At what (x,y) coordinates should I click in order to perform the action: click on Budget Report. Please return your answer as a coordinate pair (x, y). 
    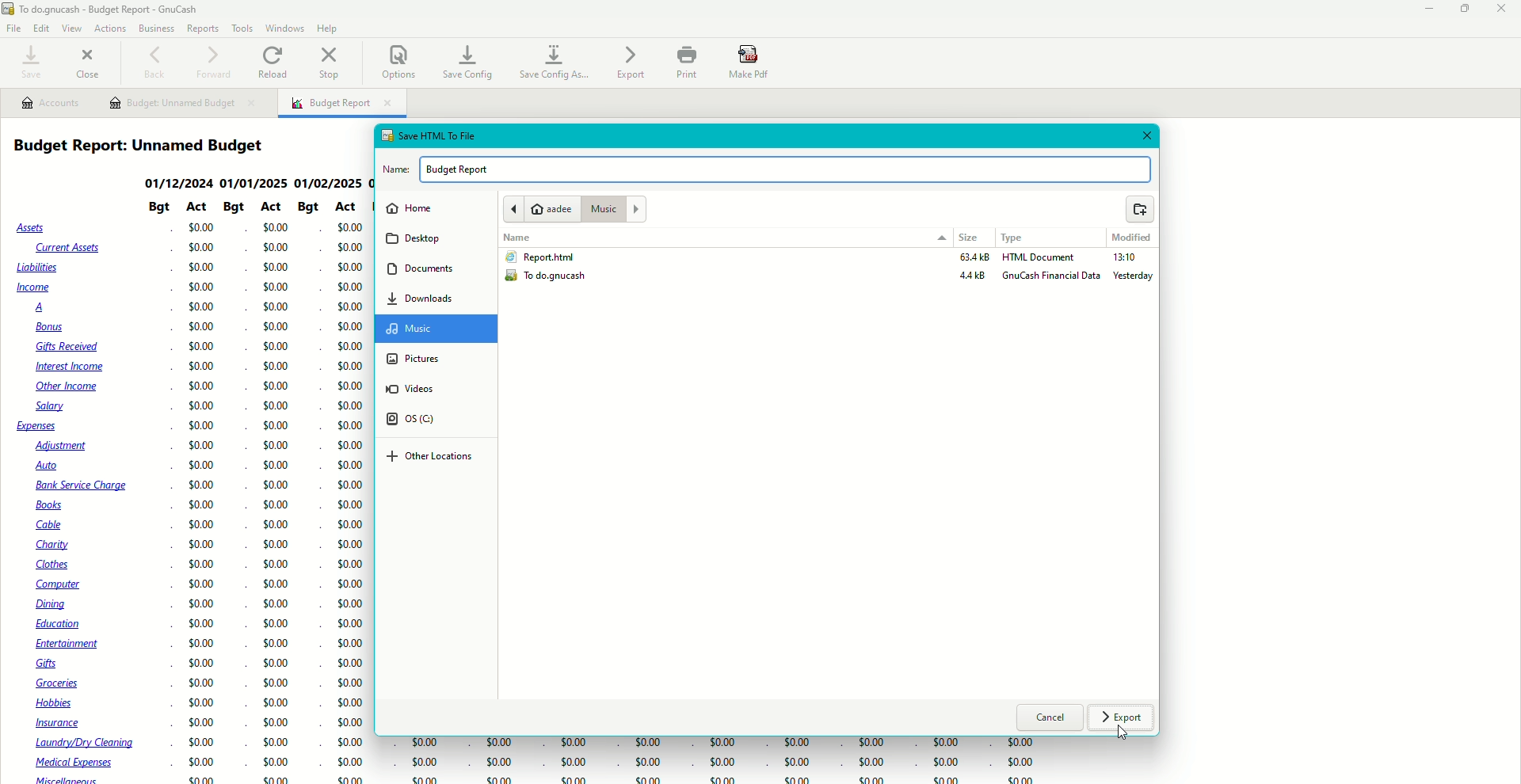
    Looking at the image, I should click on (147, 146).